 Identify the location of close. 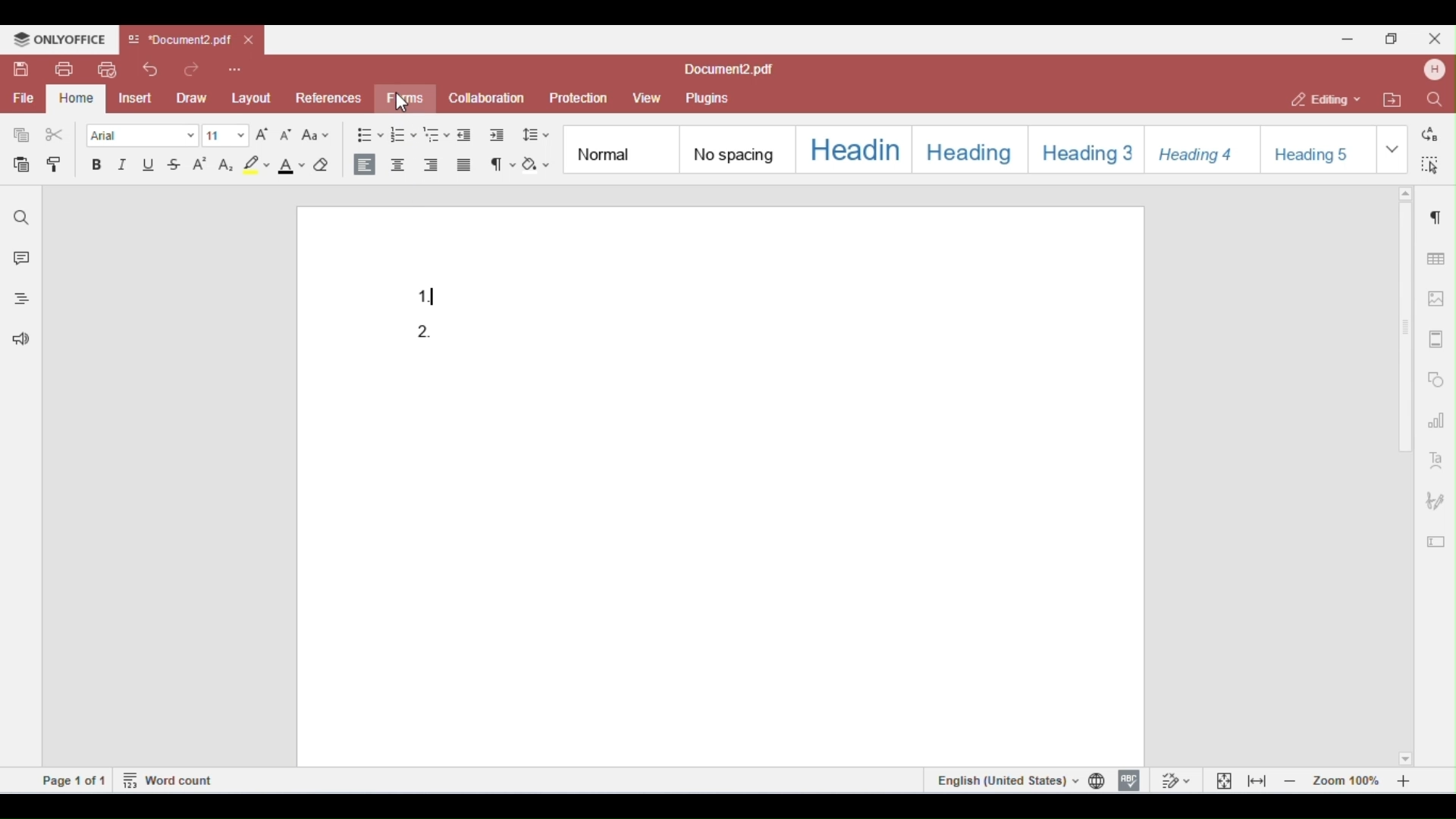
(250, 41).